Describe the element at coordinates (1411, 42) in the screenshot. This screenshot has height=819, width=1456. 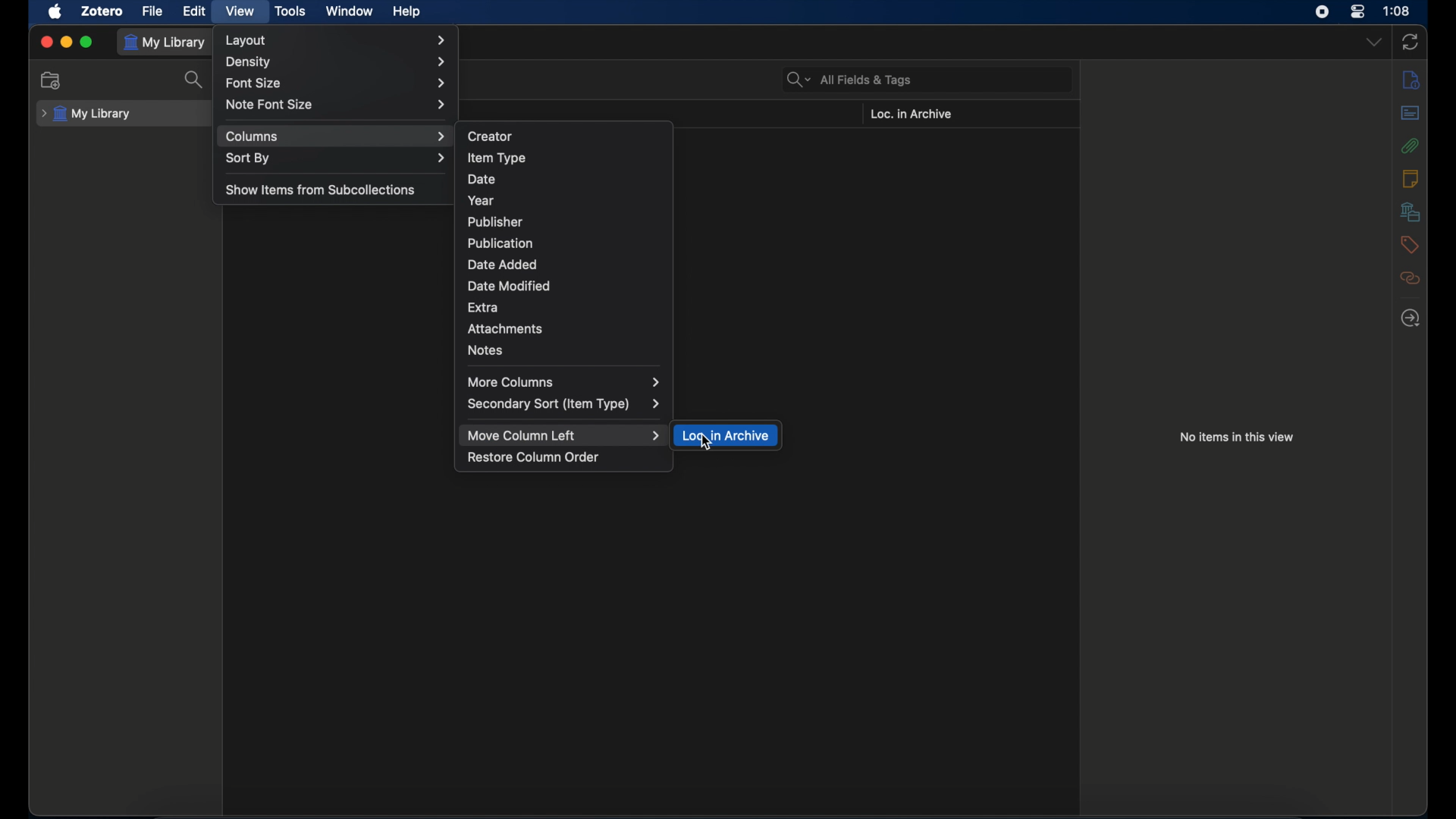
I see `sync` at that location.